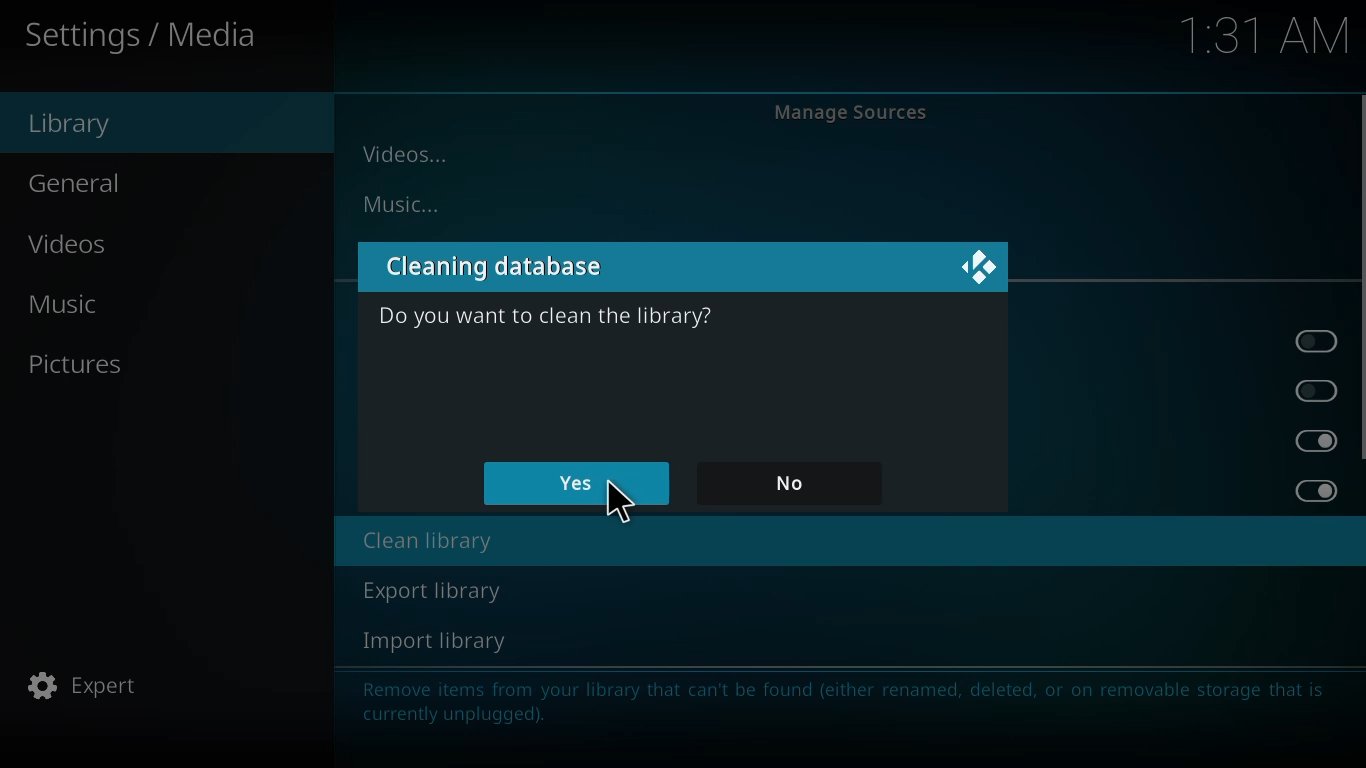 The height and width of the screenshot is (768, 1366). What do you see at coordinates (575, 484) in the screenshot?
I see `yes` at bounding box center [575, 484].